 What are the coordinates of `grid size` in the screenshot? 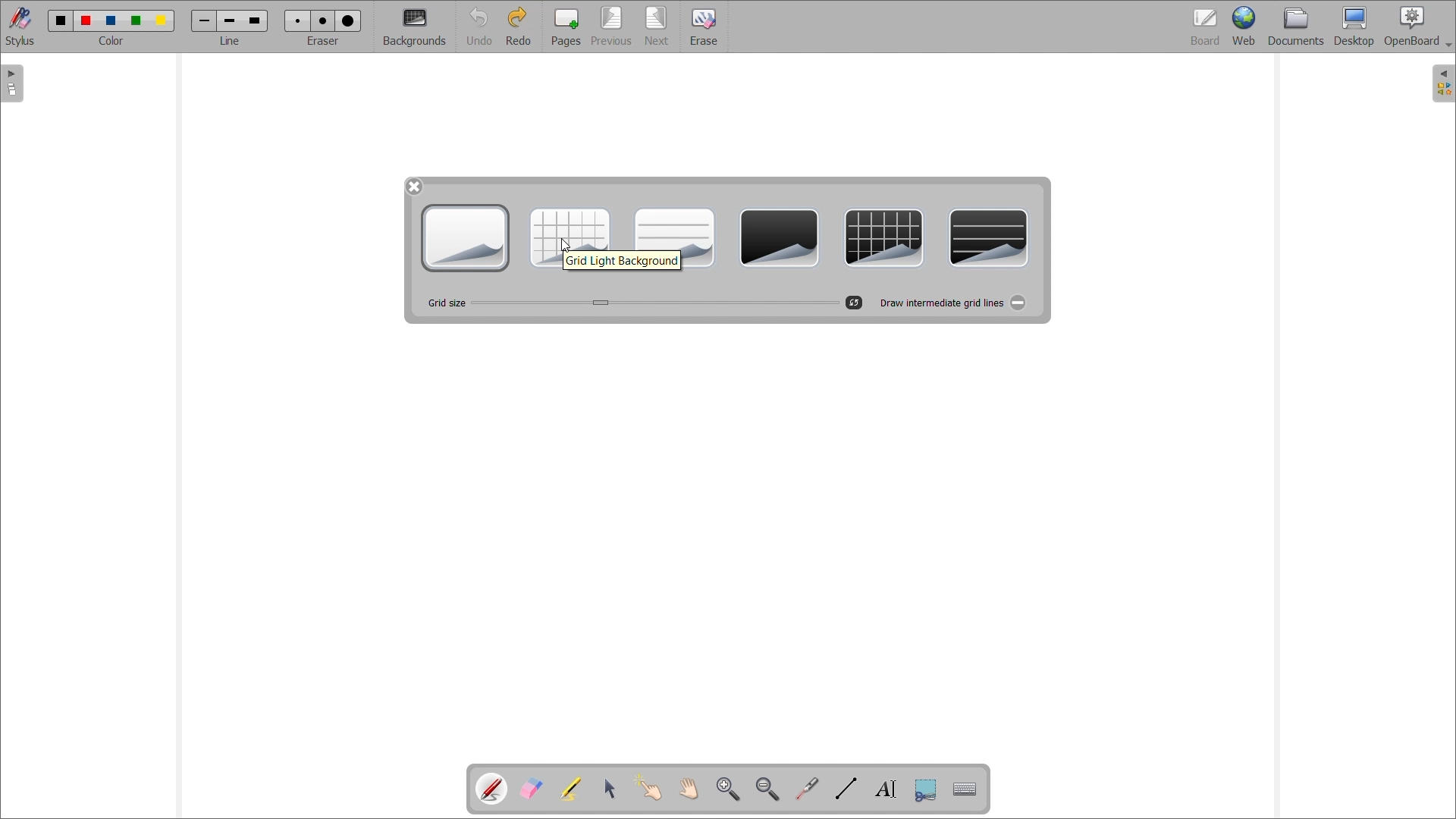 It's located at (445, 303).